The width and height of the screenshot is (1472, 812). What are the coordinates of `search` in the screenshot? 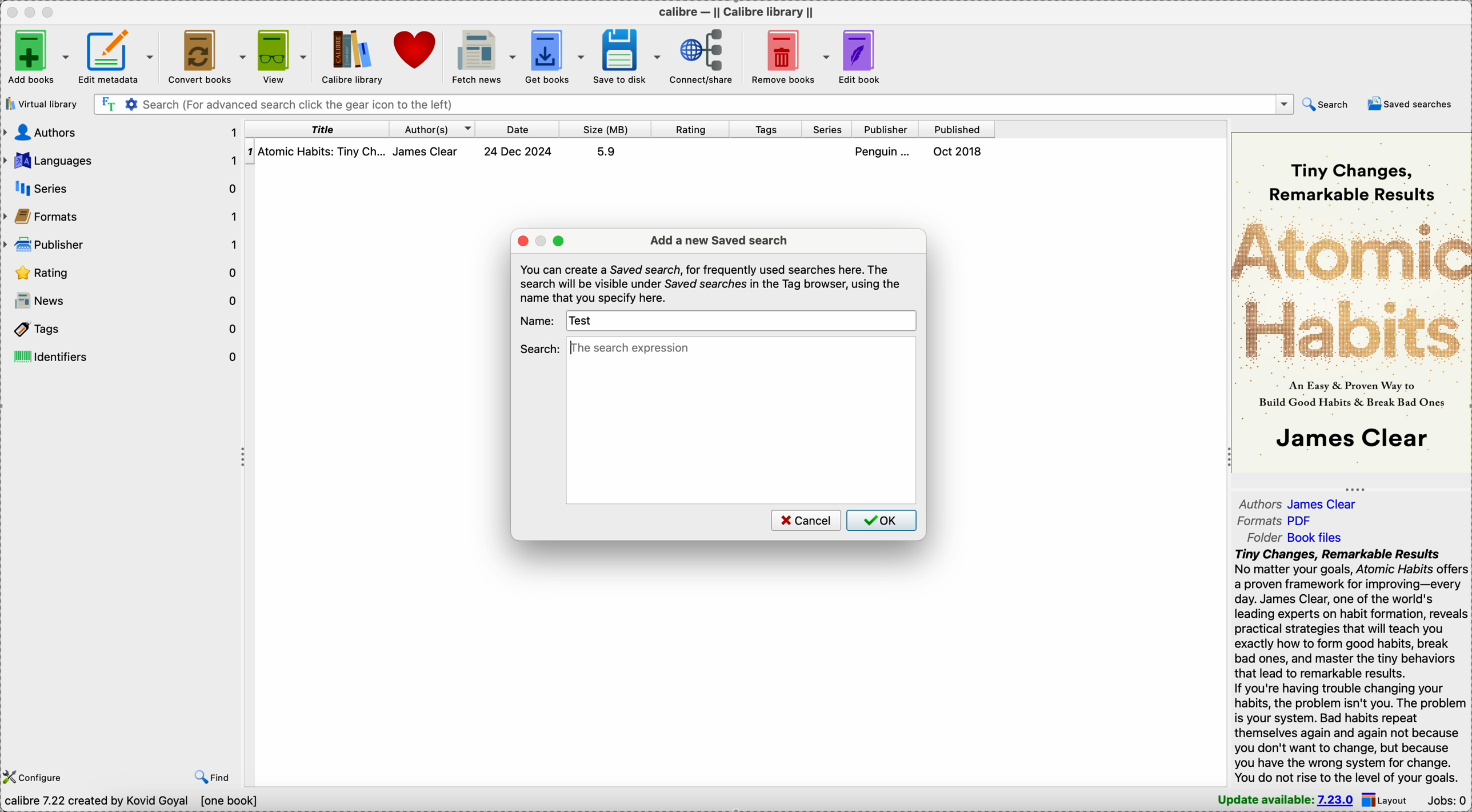 It's located at (1325, 103).